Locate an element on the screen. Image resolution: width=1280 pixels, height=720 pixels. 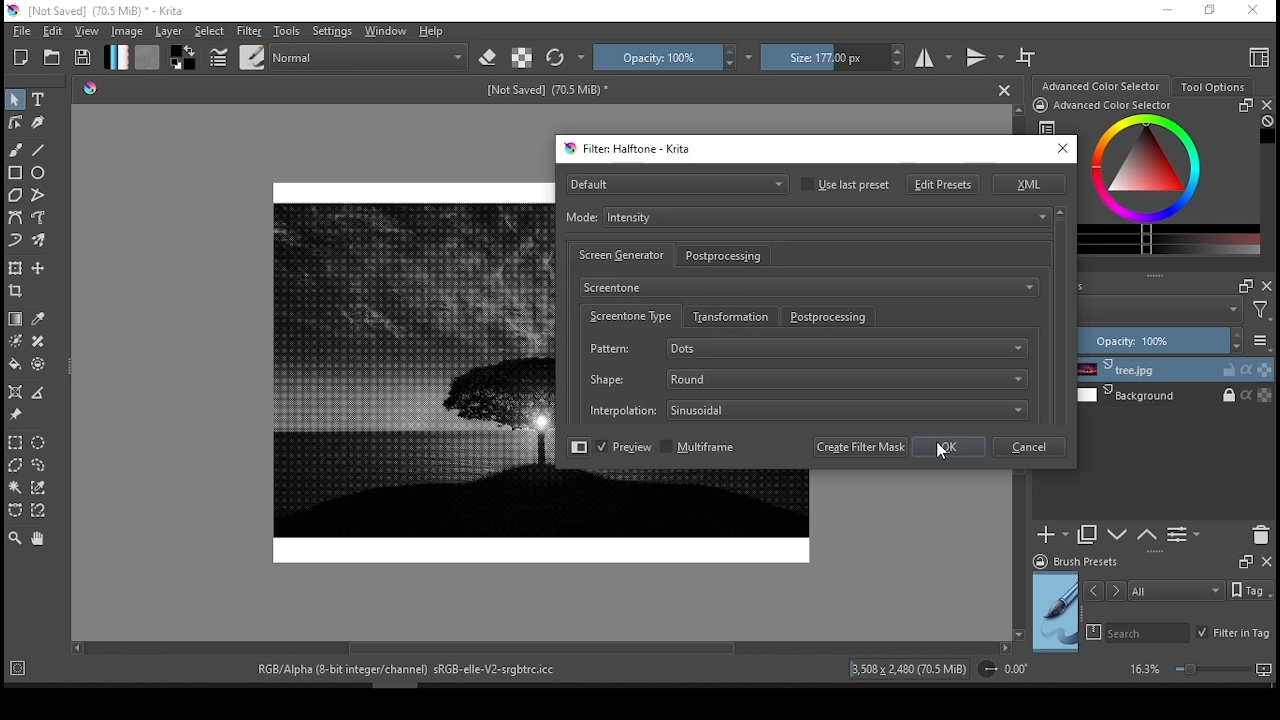
screen generator is located at coordinates (621, 255).